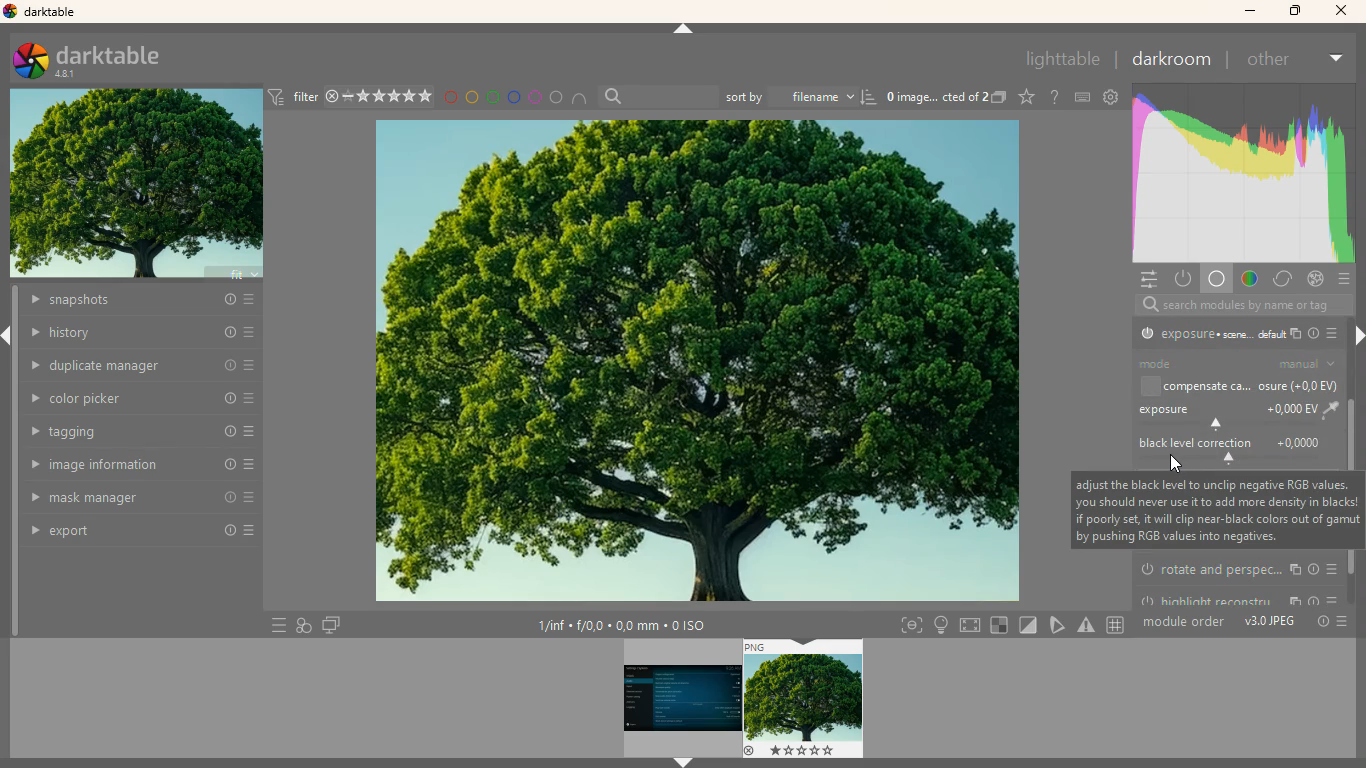  Describe the element at coordinates (1341, 281) in the screenshot. I see `more` at that location.